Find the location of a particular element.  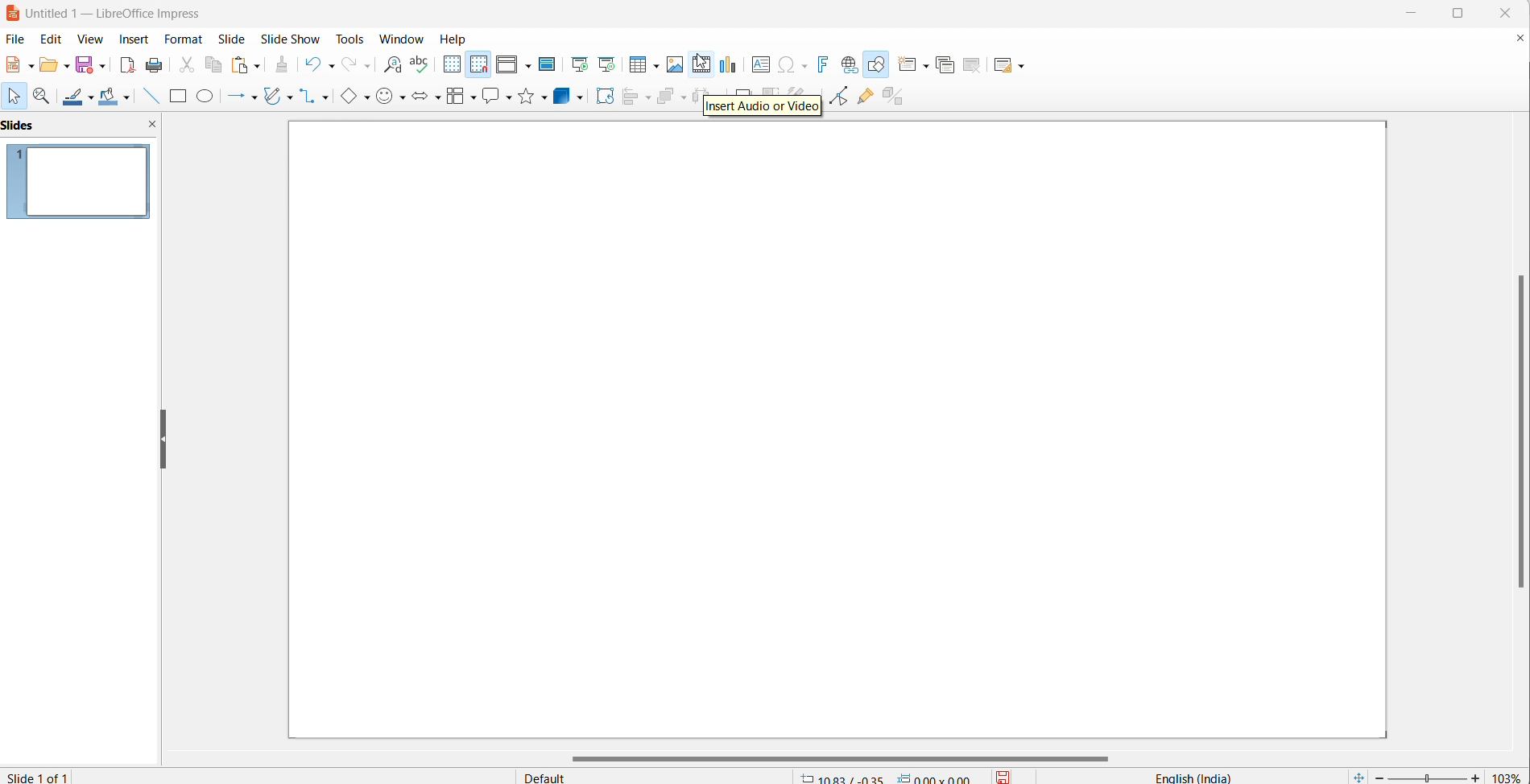

Slide layout options is located at coordinates (1021, 65).